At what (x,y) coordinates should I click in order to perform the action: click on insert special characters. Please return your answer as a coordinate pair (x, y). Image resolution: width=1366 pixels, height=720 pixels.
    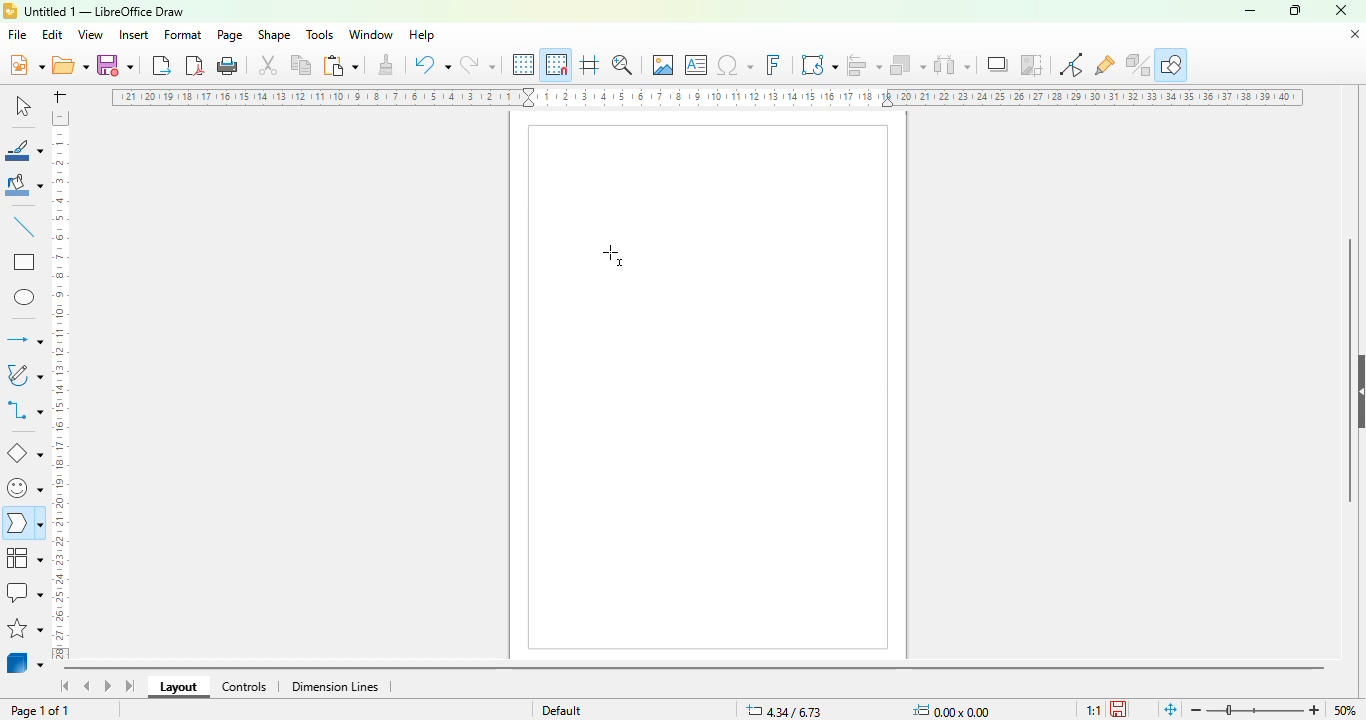
    Looking at the image, I should click on (735, 65).